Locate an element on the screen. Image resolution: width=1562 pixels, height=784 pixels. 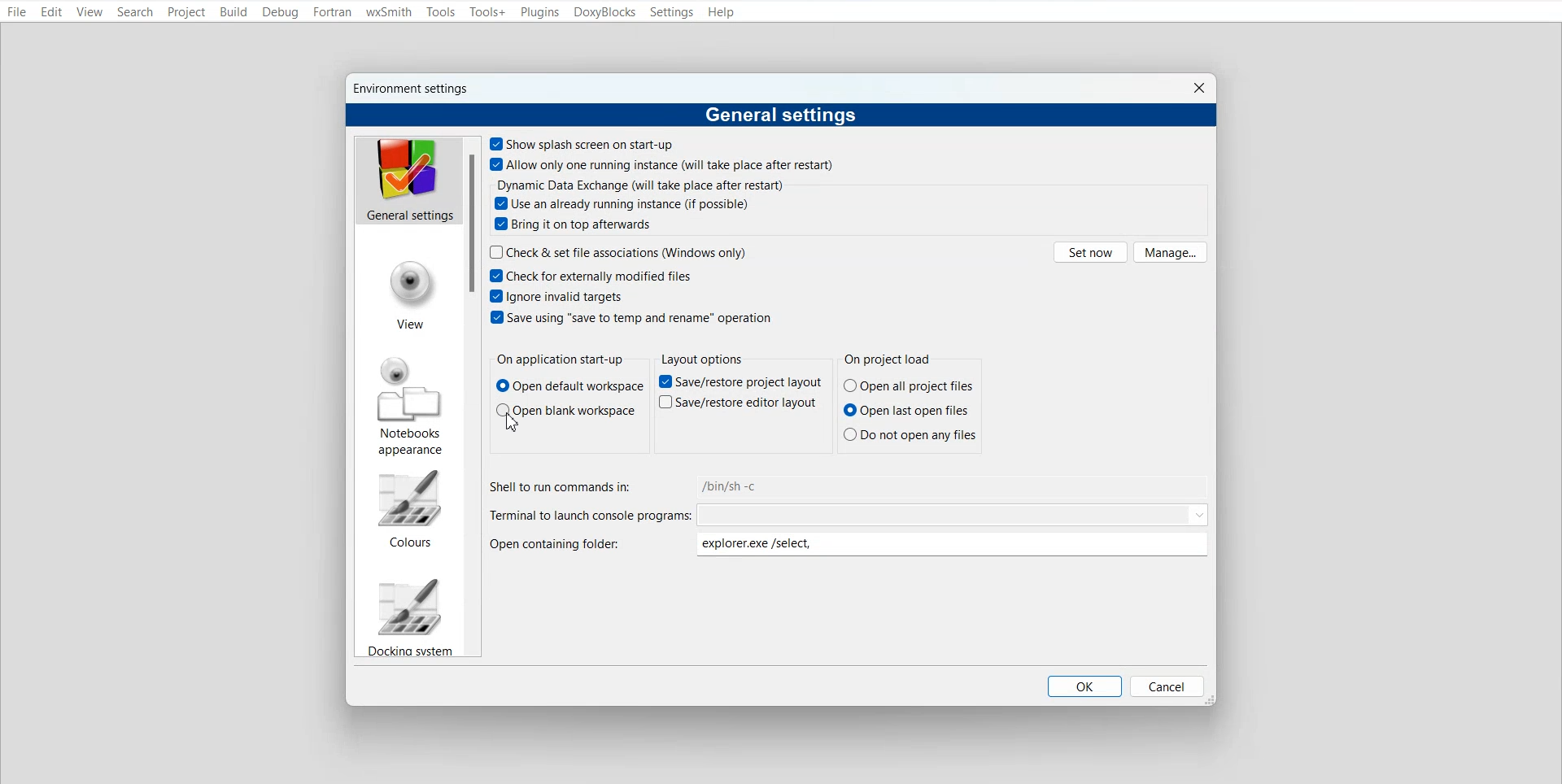
wxSmith is located at coordinates (389, 13).